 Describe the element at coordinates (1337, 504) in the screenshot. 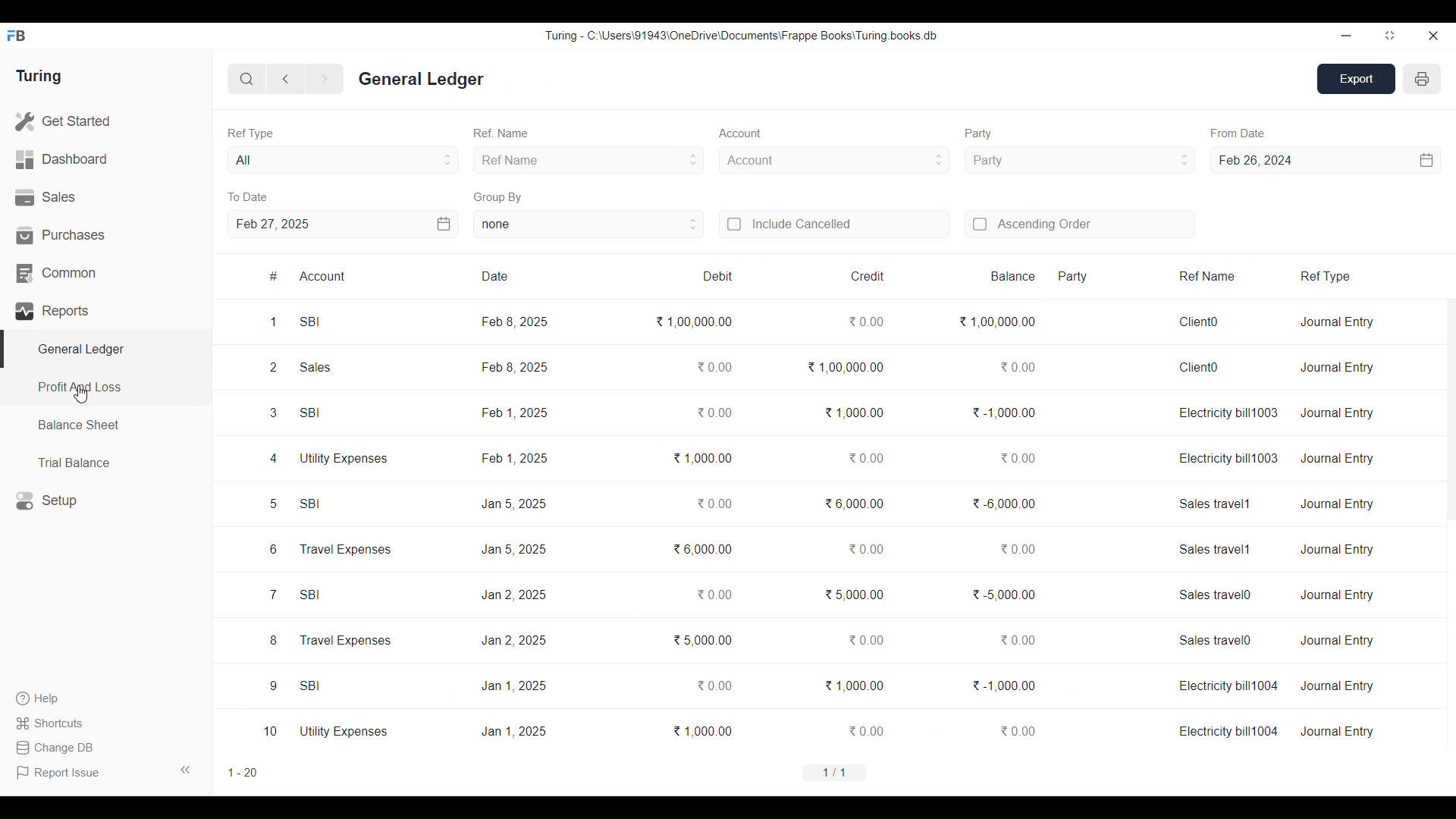

I see `Journal Entry` at that location.